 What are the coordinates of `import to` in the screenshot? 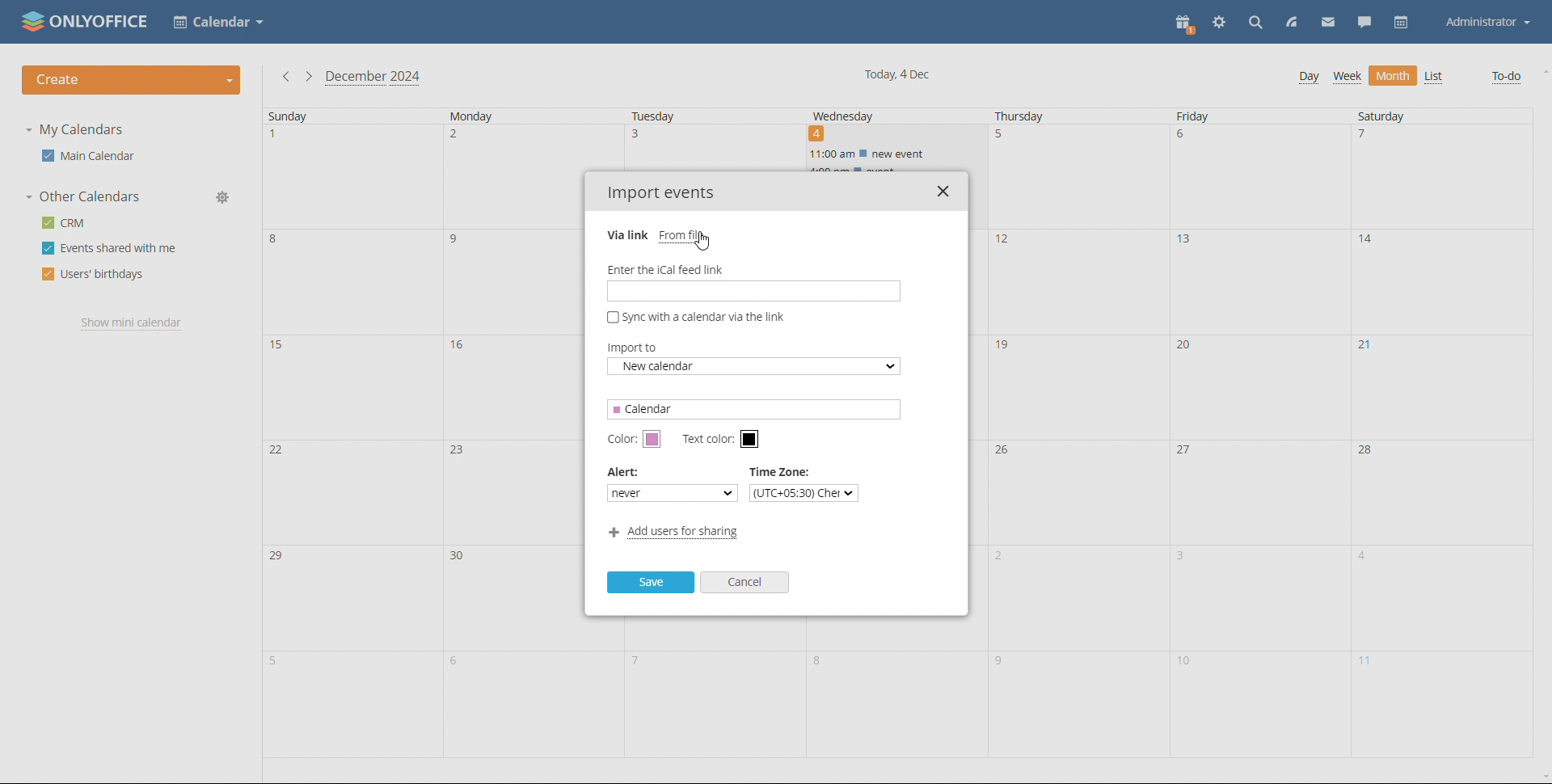 It's located at (755, 367).